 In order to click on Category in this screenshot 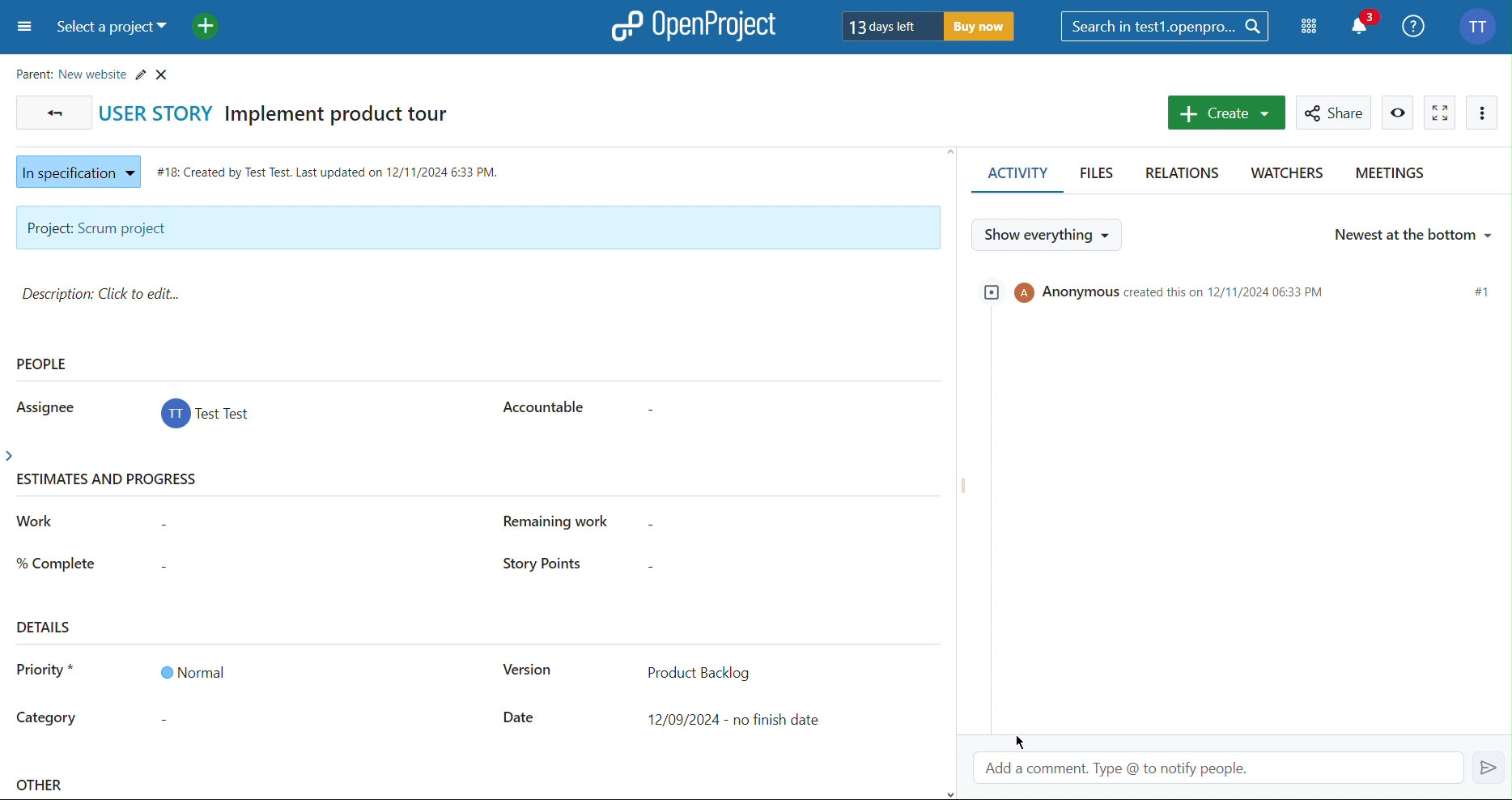, I will do `click(47, 720)`.